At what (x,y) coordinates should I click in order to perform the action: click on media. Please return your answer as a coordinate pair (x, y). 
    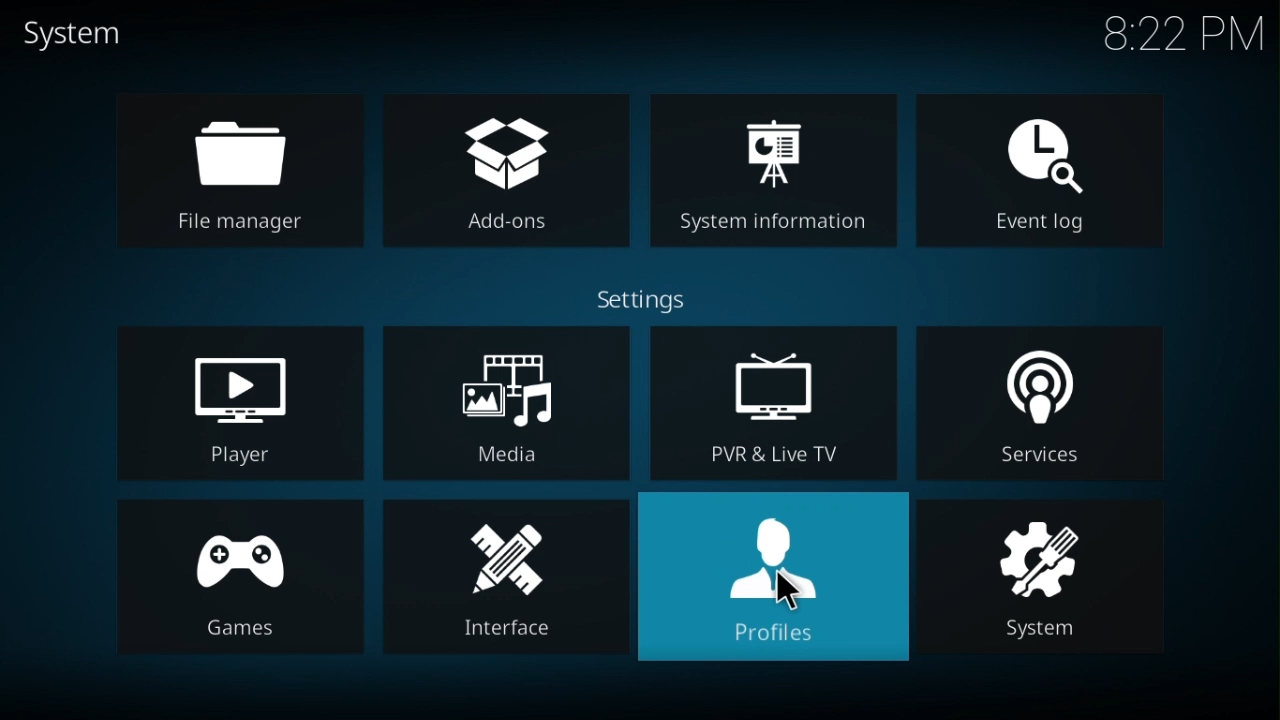
    Looking at the image, I should click on (505, 406).